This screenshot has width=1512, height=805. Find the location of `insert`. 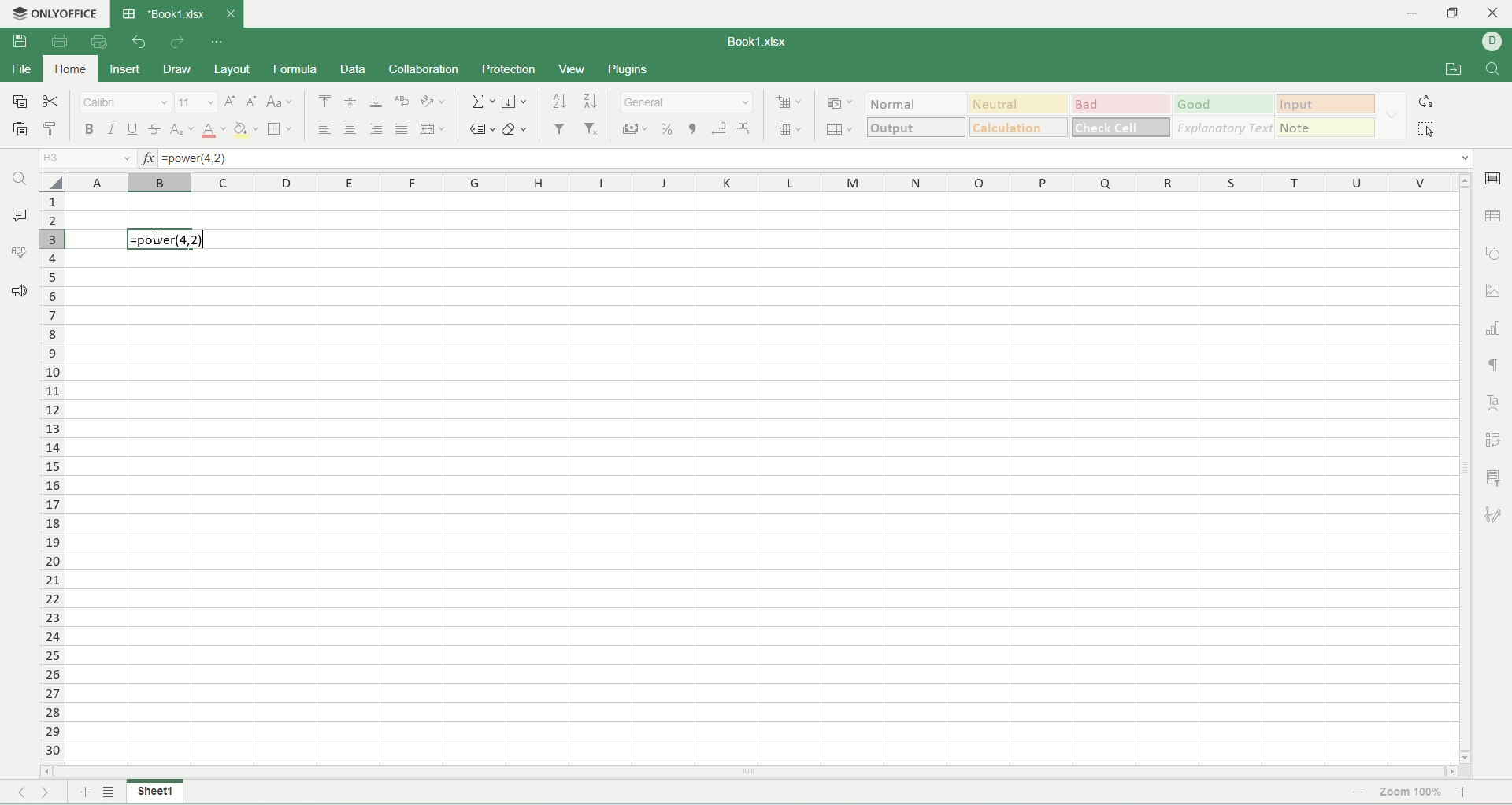

insert is located at coordinates (125, 71).